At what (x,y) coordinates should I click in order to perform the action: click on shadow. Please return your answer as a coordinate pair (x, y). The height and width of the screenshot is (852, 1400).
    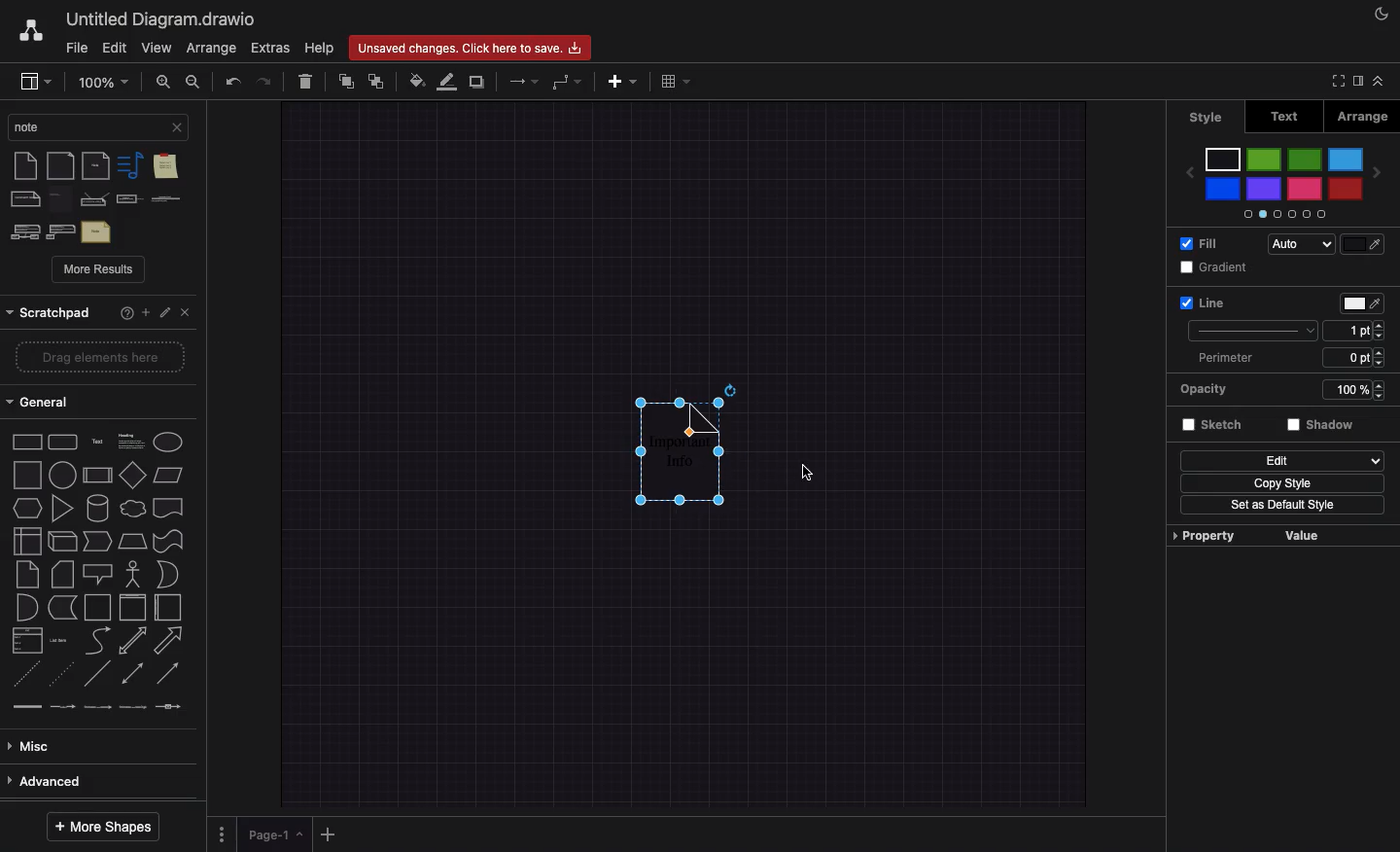
    Looking at the image, I should click on (1323, 428).